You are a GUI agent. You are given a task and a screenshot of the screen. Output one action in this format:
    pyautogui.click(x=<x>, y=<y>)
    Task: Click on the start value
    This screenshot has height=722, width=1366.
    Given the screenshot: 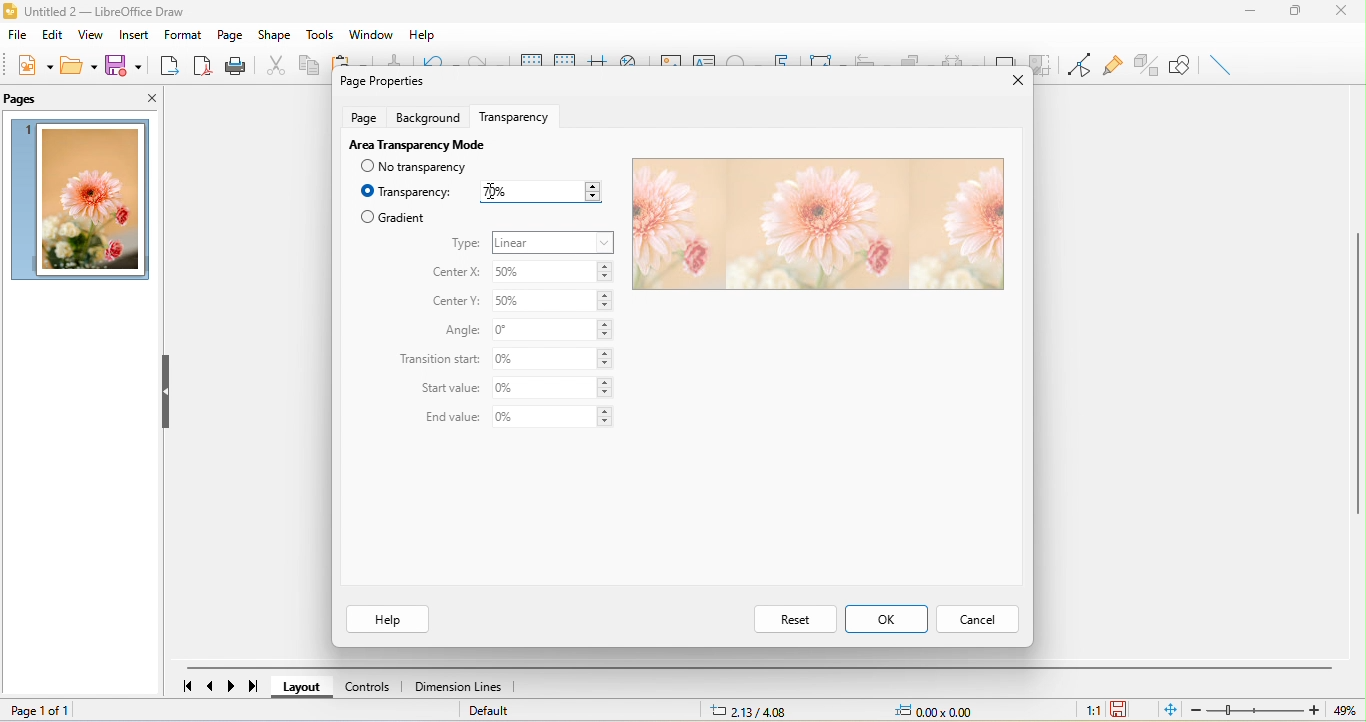 What is the action you would take?
    pyautogui.click(x=451, y=390)
    